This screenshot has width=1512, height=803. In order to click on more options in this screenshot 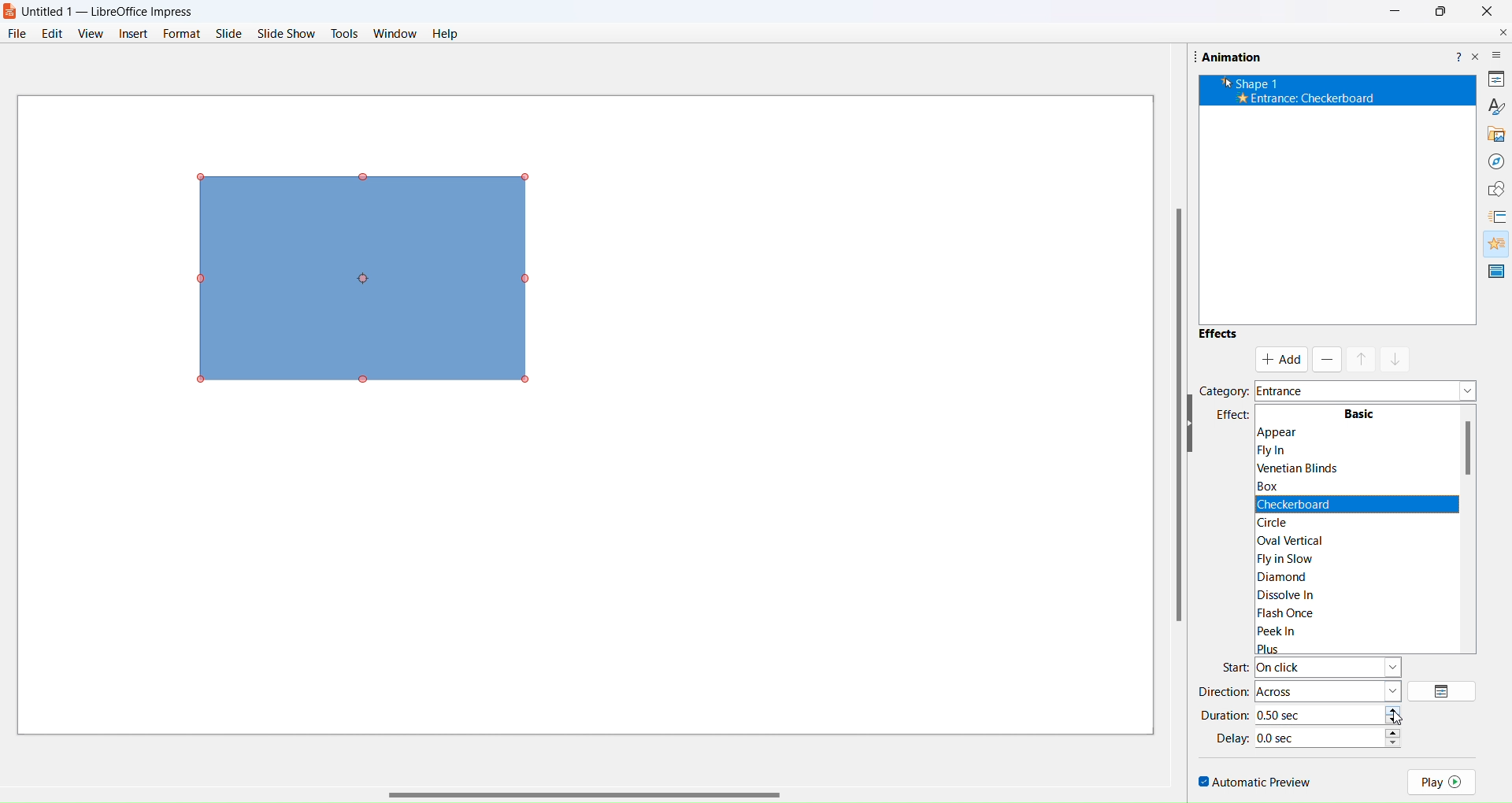, I will do `click(1497, 55)`.